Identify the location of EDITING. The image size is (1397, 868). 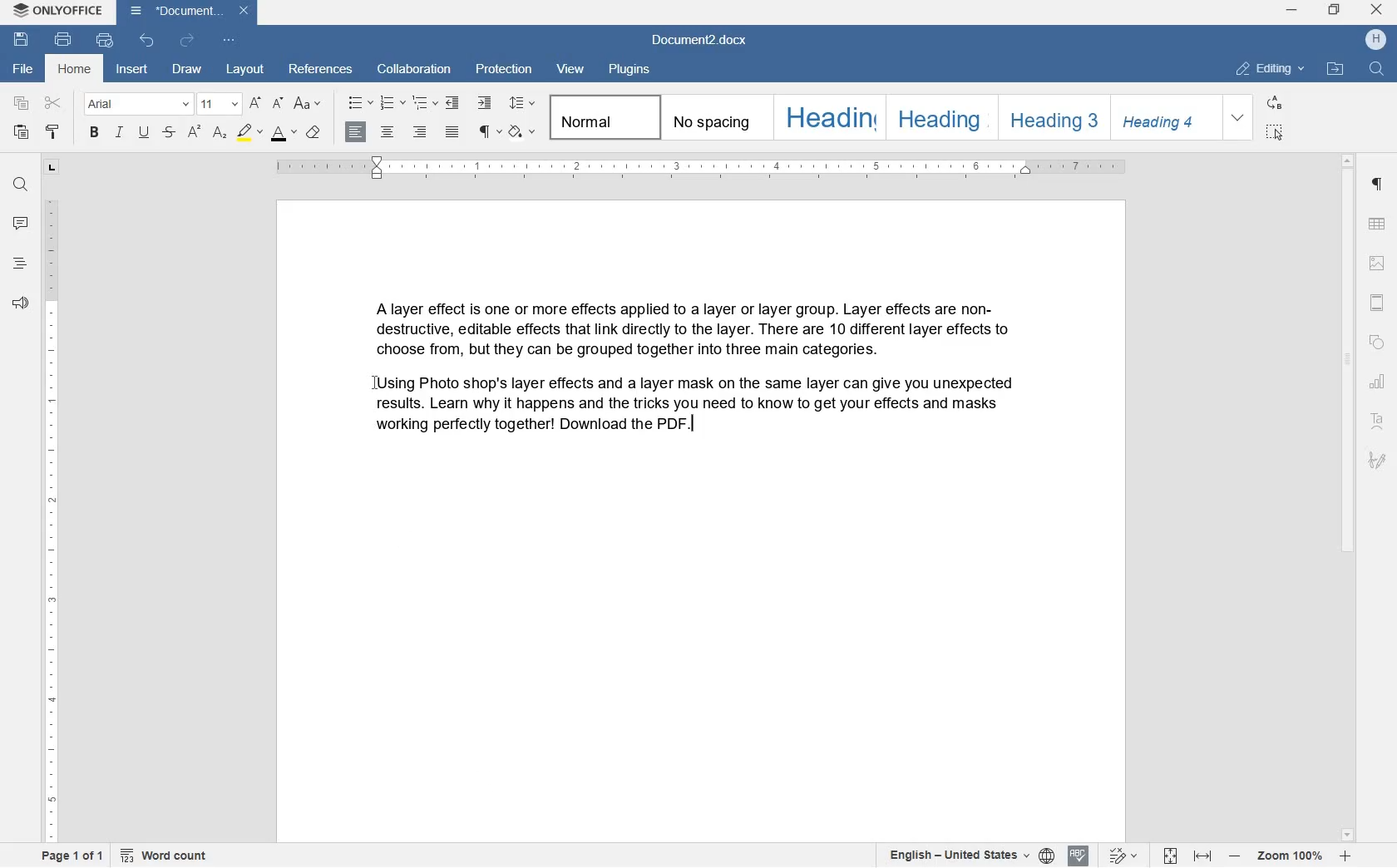
(1271, 70).